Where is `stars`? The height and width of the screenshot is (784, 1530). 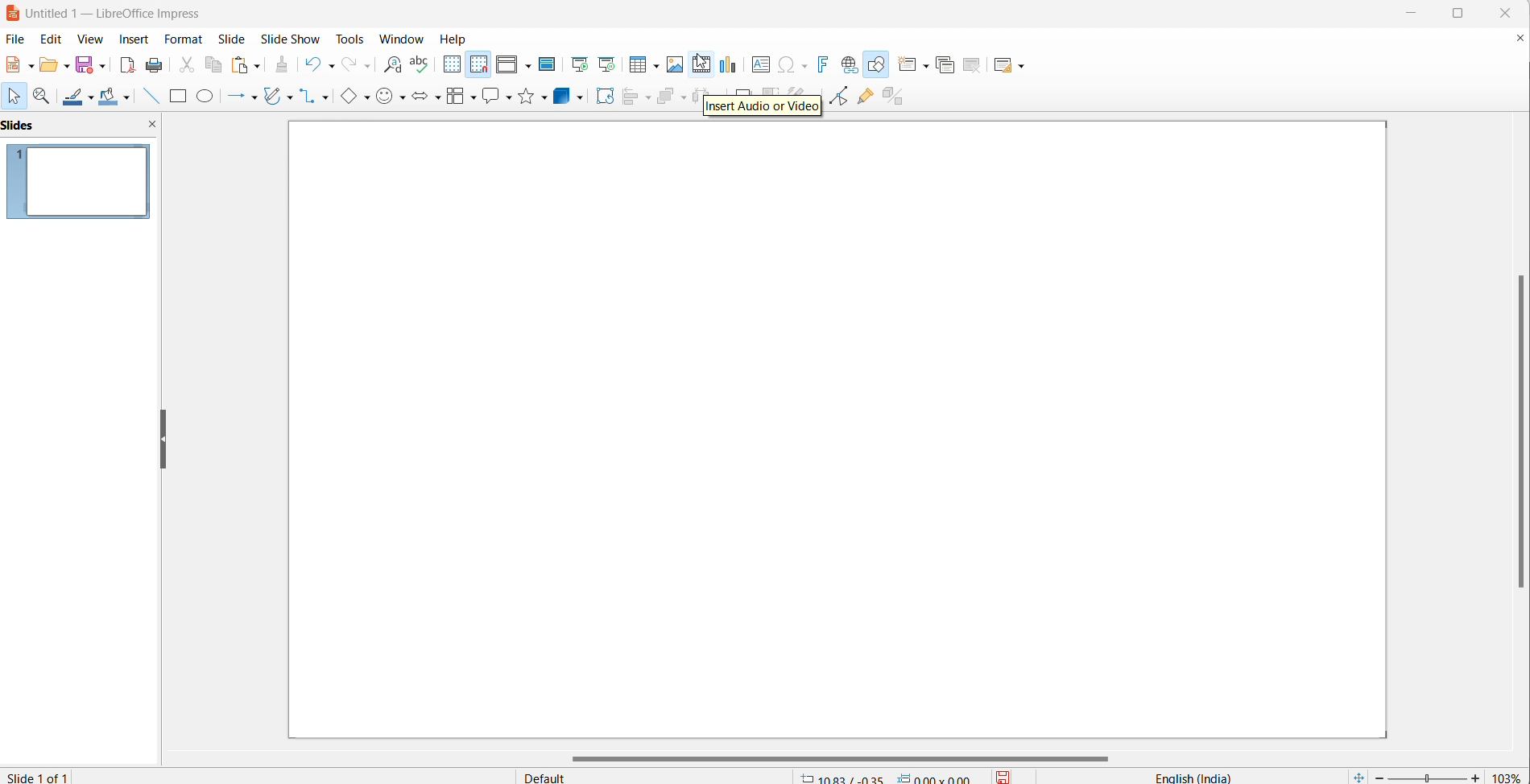 stars is located at coordinates (526, 97).